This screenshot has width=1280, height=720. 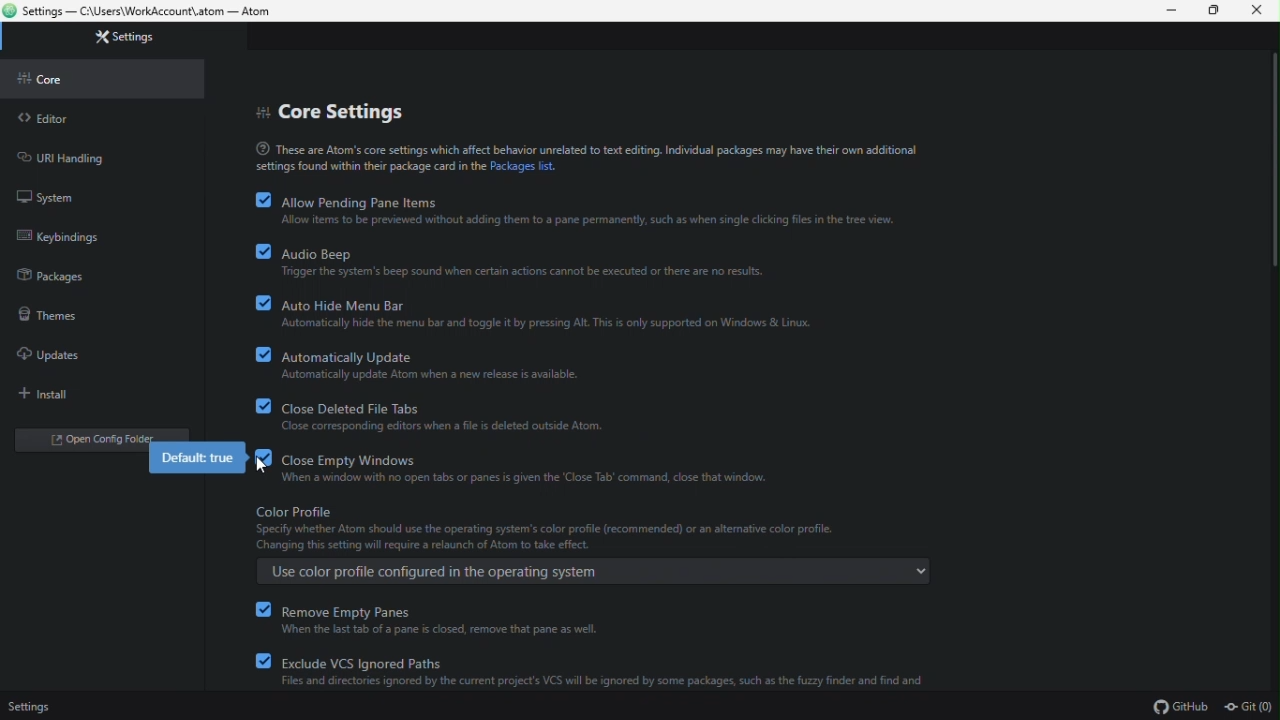 What do you see at coordinates (333, 114) in the screenshot?
I see `core settings` at bounding box center [333, 114].